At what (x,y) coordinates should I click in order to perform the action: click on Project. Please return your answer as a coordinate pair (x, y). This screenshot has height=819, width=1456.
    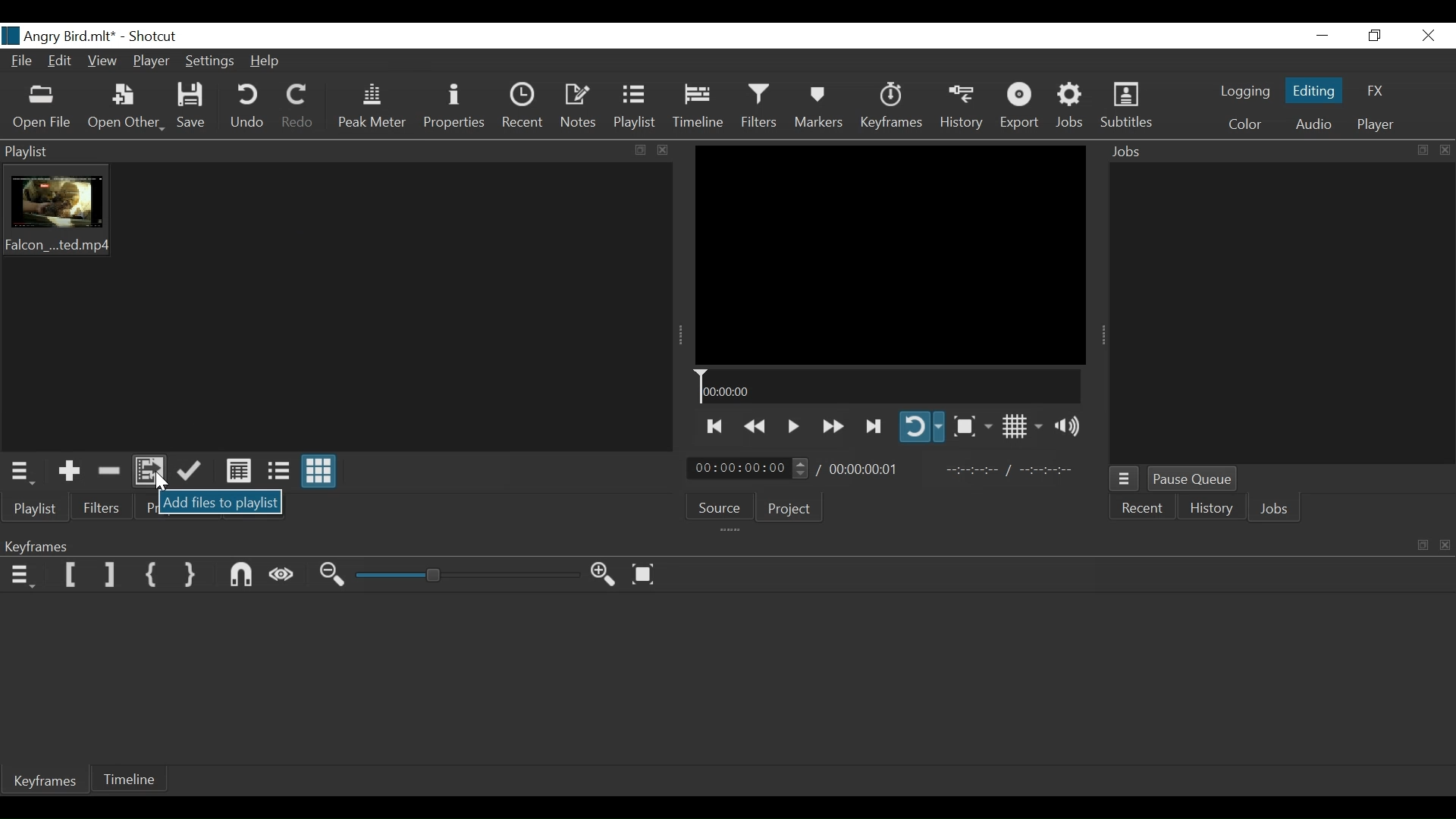
    Looking at the image, I should click on (789, 510).